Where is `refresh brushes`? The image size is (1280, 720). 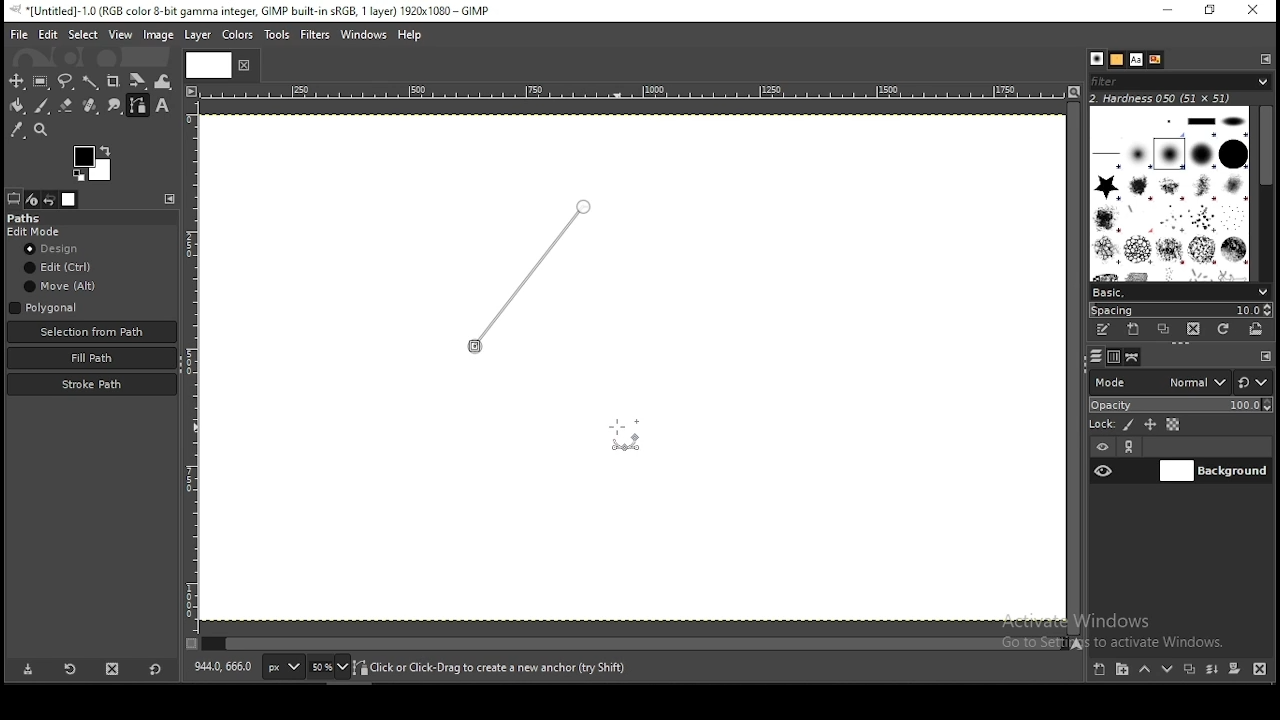
refresh brushes is located at coordinates (1223, 330).